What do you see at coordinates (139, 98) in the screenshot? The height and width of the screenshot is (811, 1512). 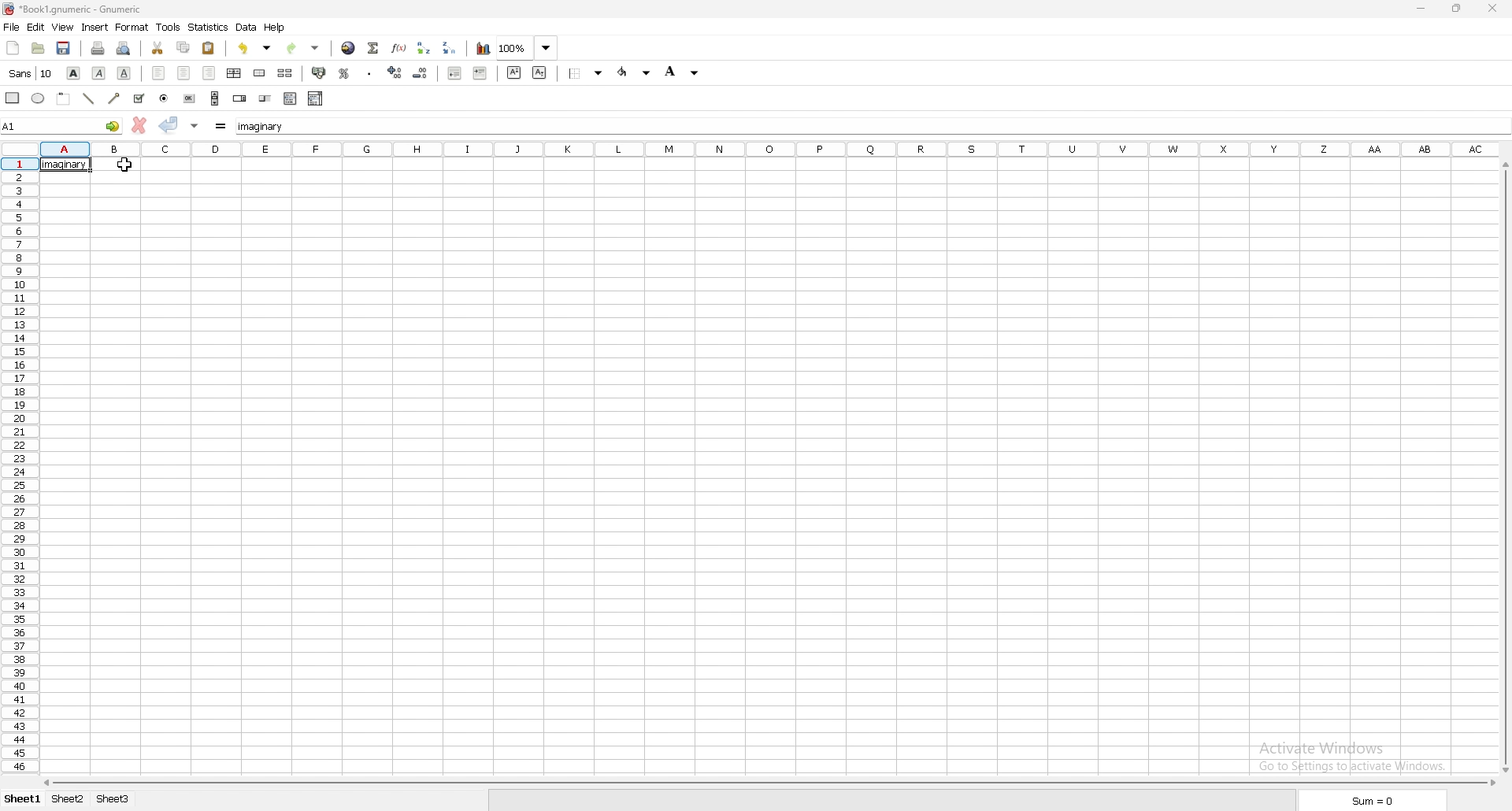 I see `tickbox` at bounding box center [139, 98].